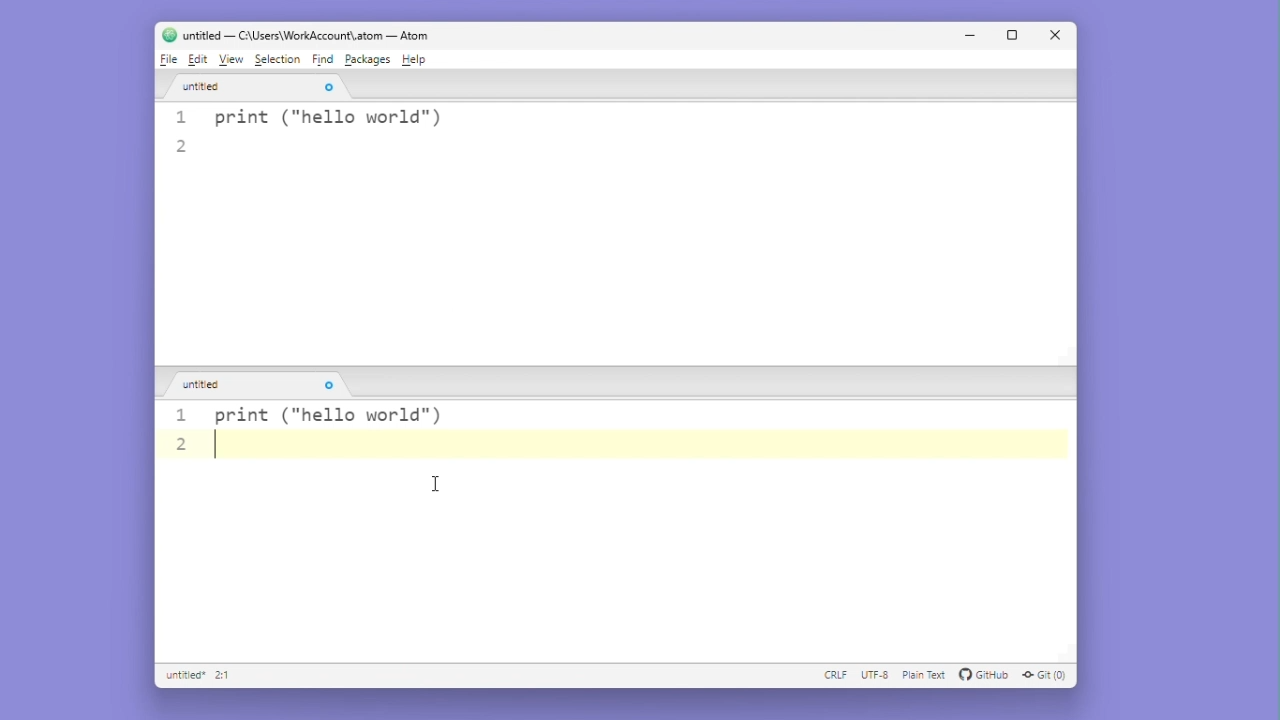  What do you see at coordinates (309, 35) in the screenshot?
I see `) untitled — C:A\Users\WorkAccount\.atom — Atom` at bounding box center [309, 35].